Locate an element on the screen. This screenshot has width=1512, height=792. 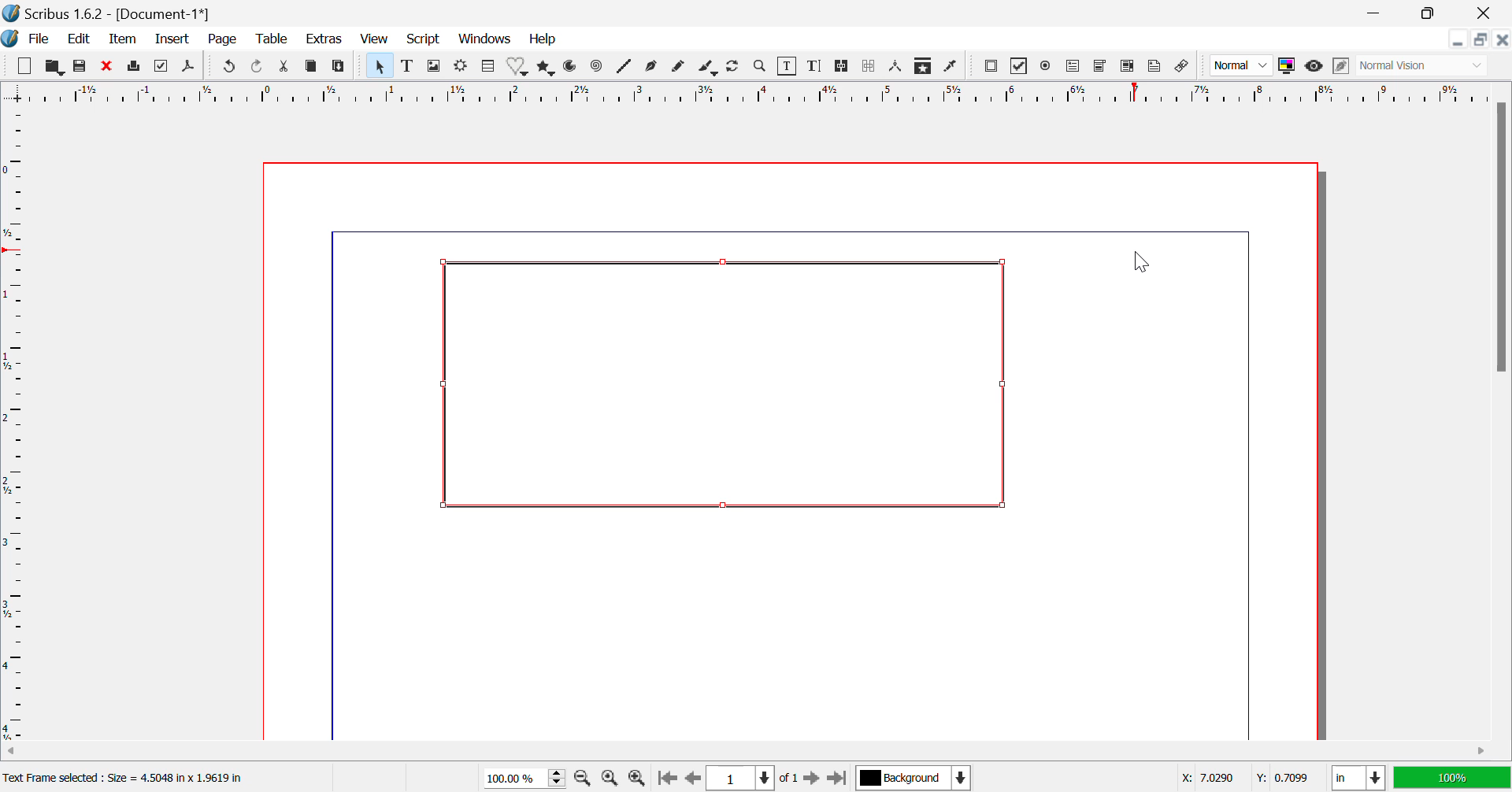
Close is located at coordinates (1503, 40).